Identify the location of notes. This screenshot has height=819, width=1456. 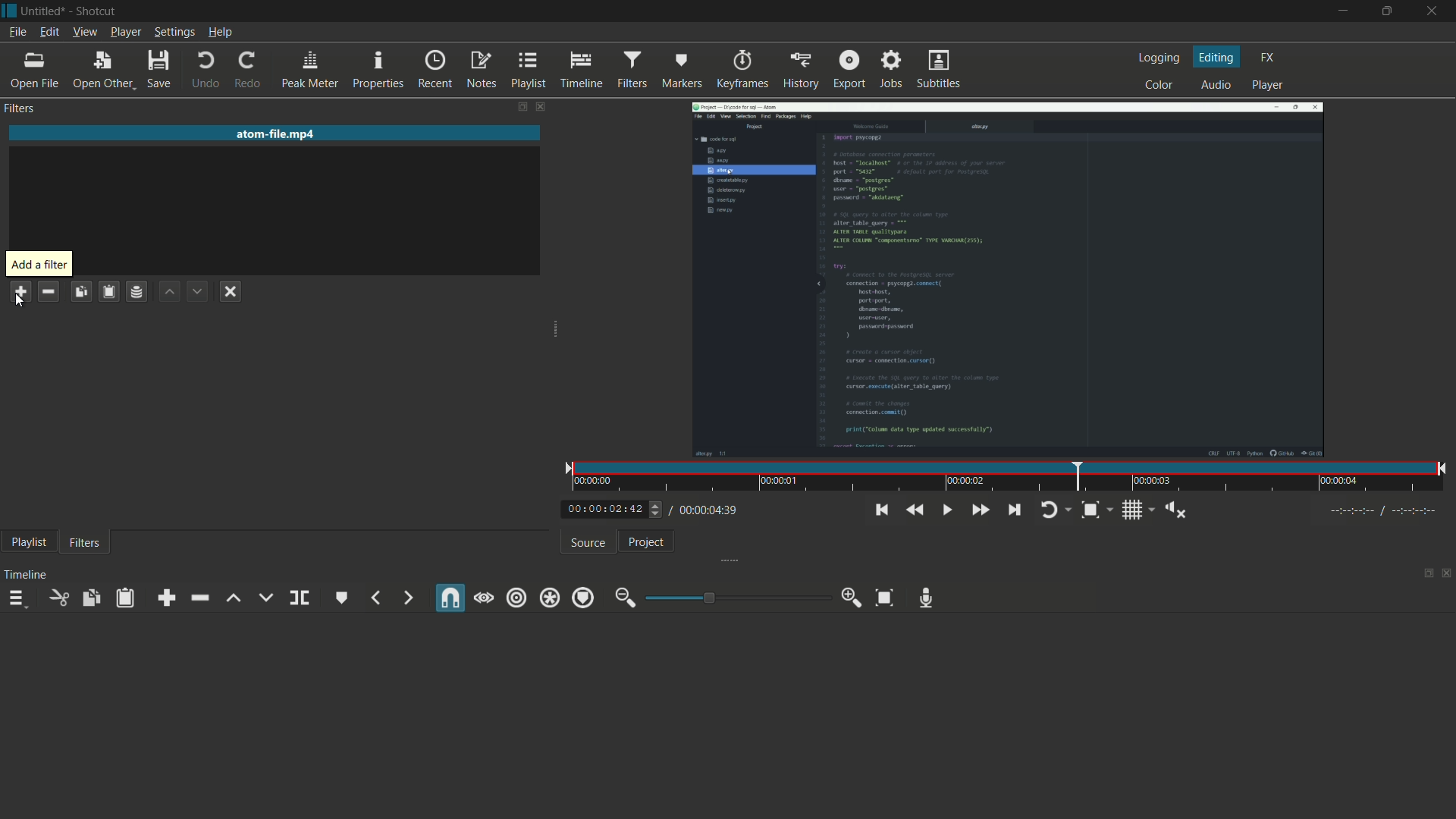
(480, 70).